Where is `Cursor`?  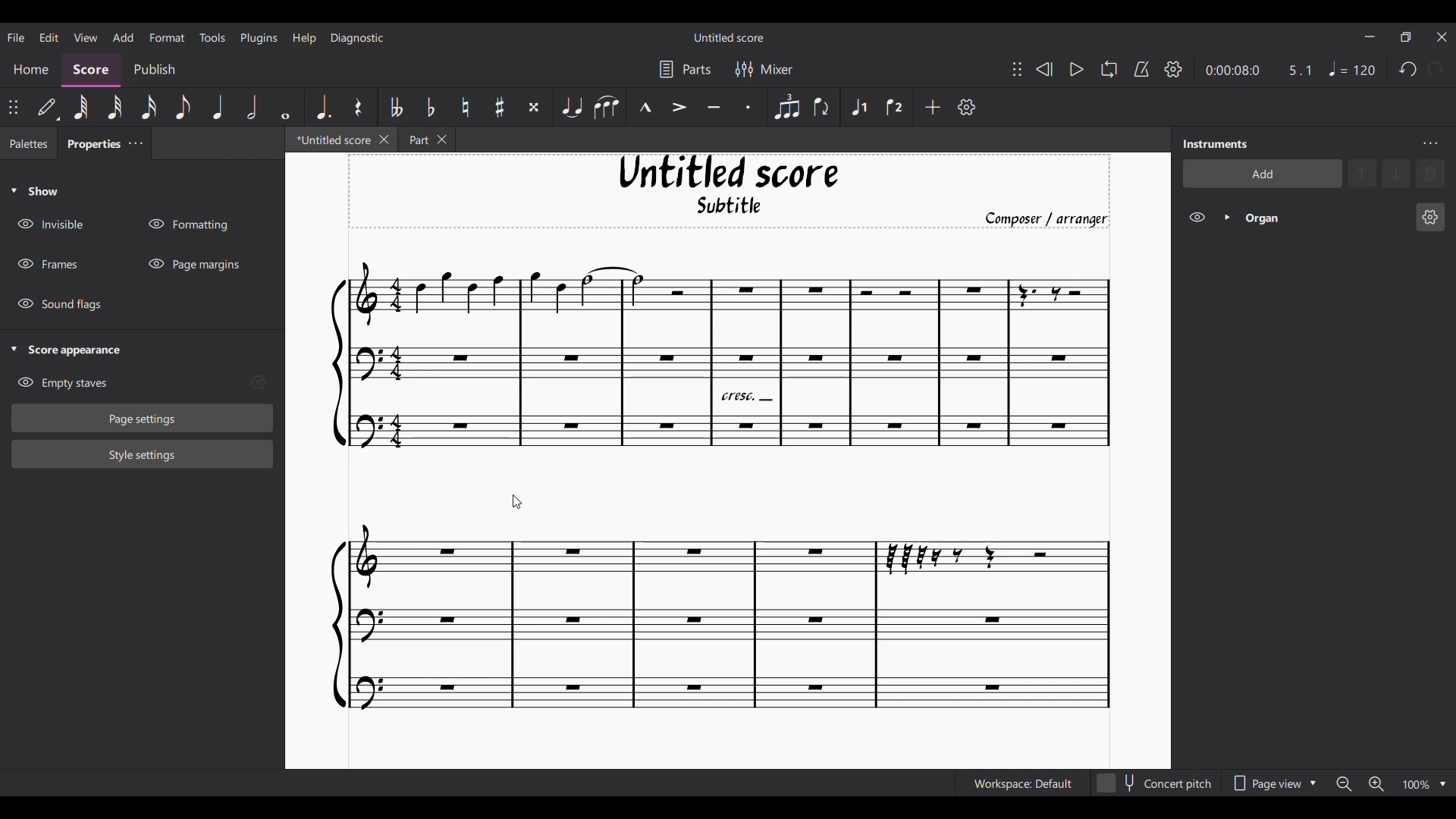
Cursor is located at coordinates (519, 503).